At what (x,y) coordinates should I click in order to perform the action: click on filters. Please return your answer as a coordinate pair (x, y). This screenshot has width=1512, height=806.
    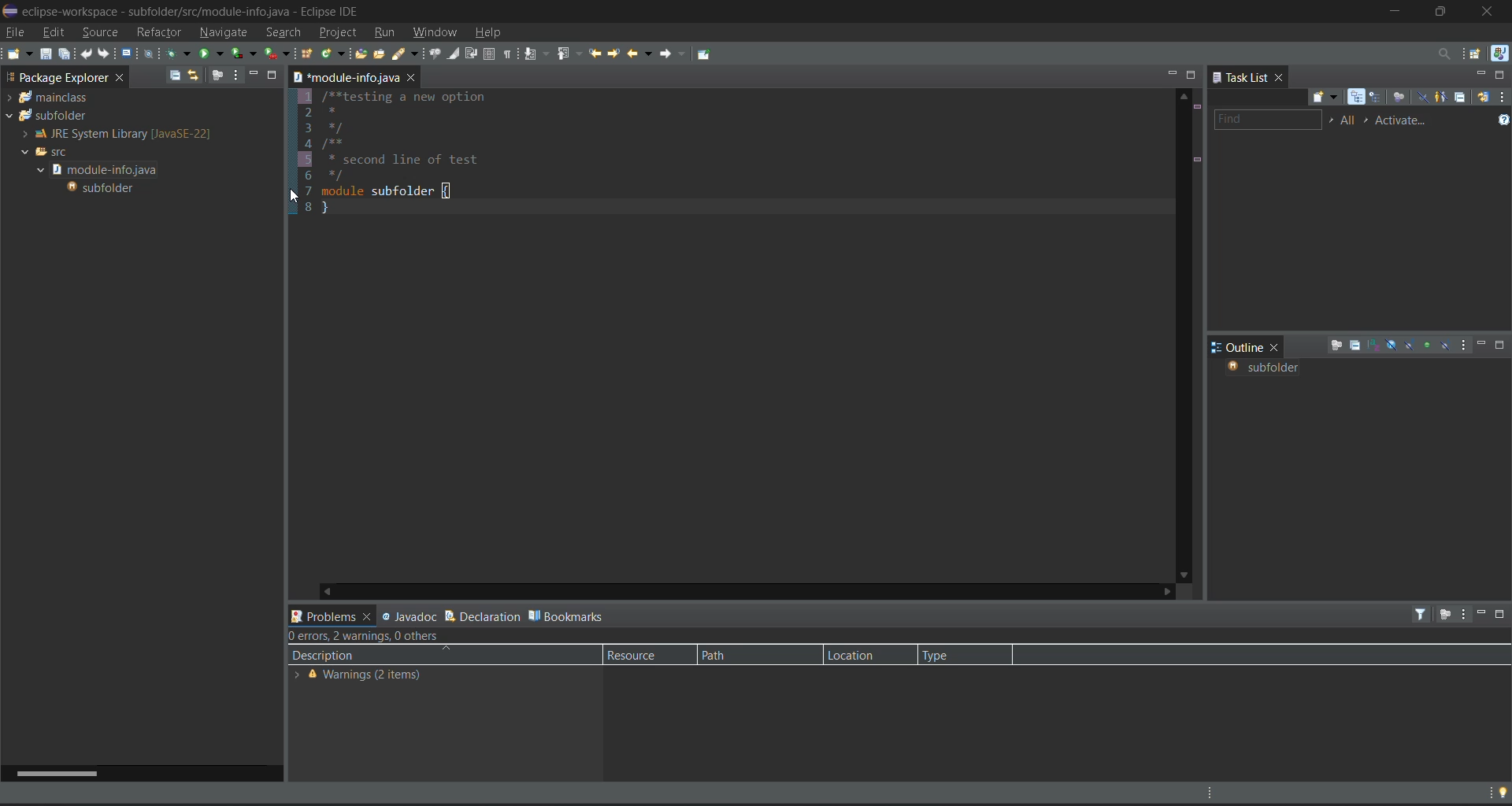
    Looking at the image, I should click on (1423, 614).